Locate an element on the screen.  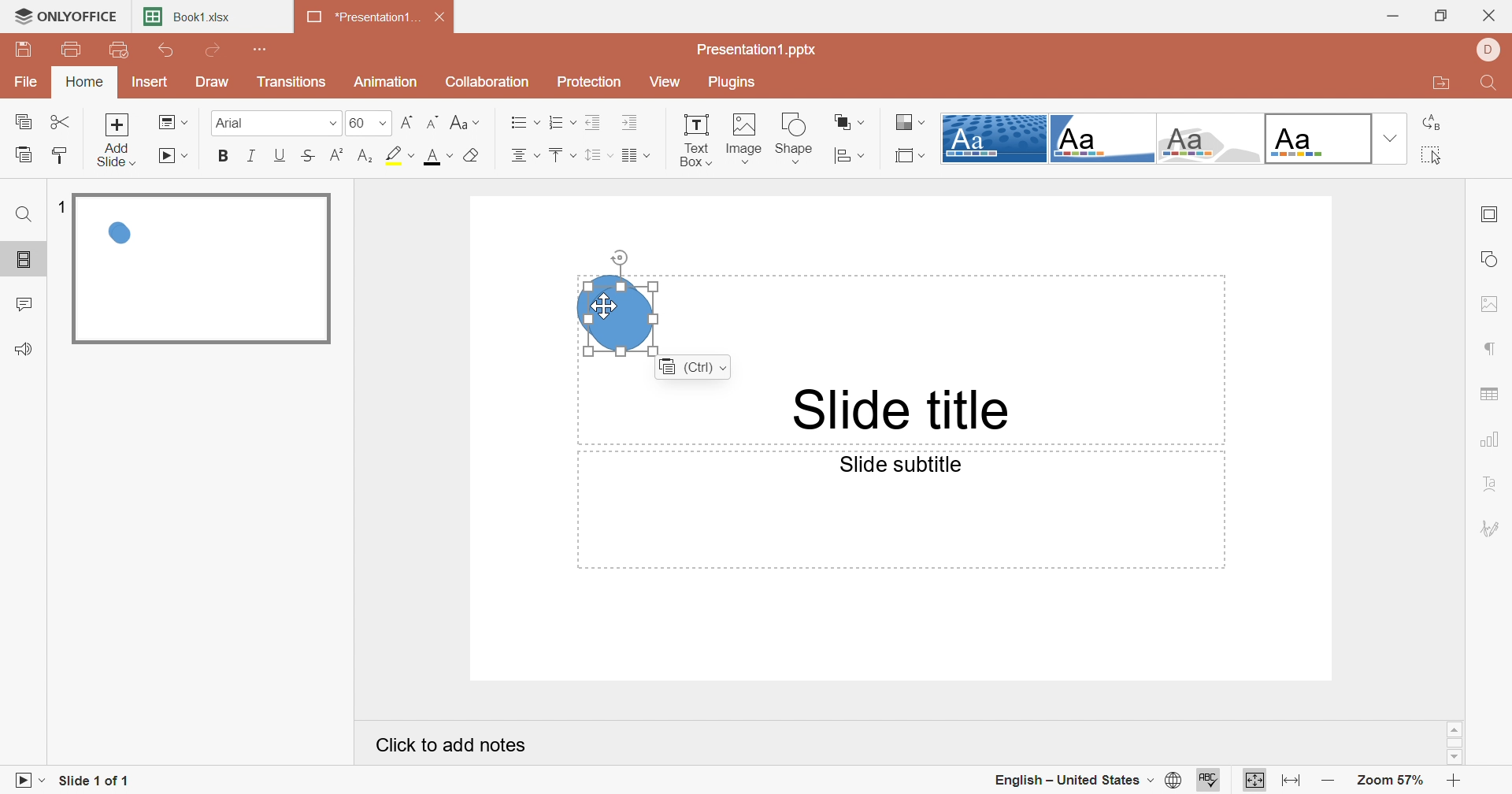
Decrease indent is located at coordinates (593, 122).